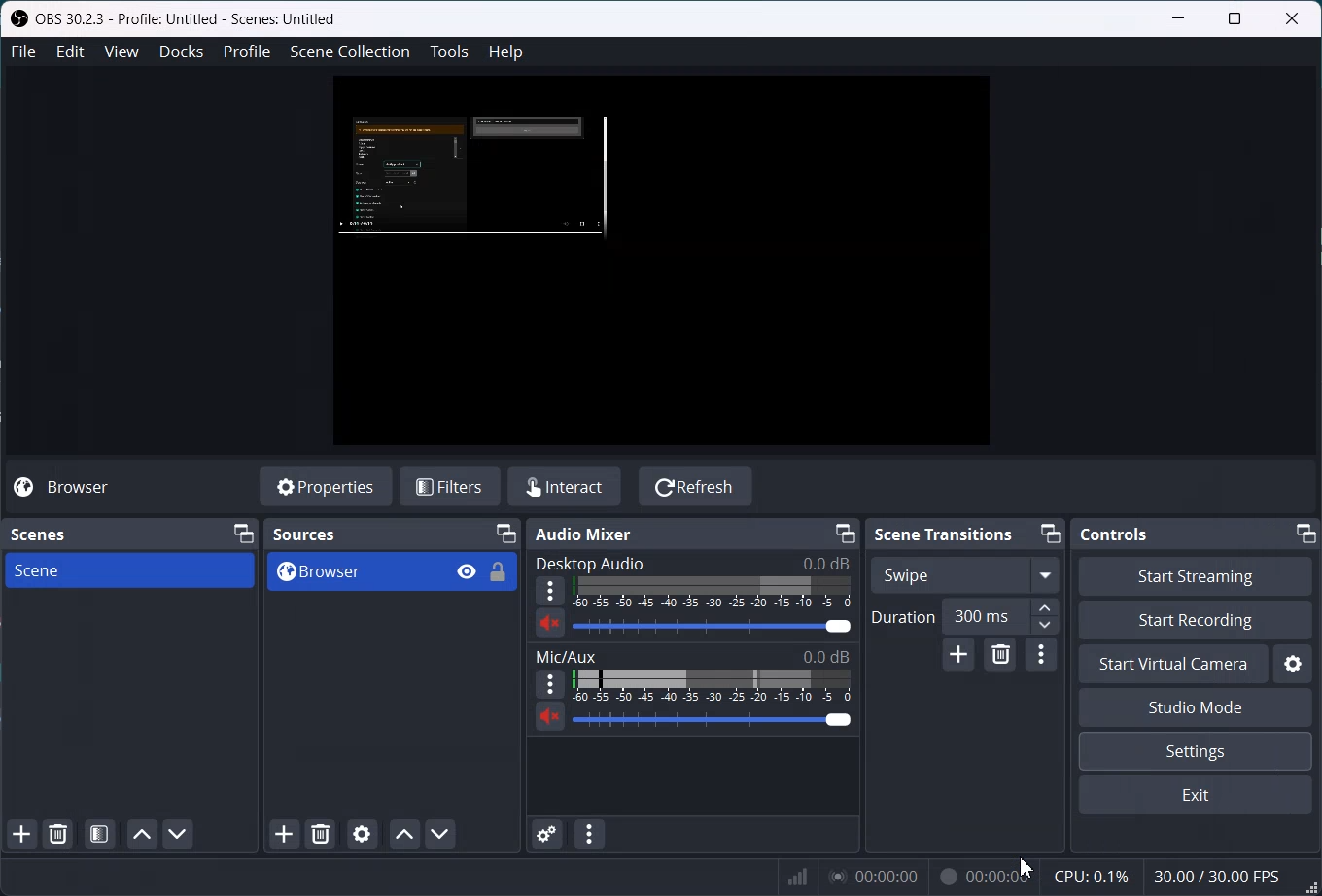  I want to click on Duration, so click(903, 617).